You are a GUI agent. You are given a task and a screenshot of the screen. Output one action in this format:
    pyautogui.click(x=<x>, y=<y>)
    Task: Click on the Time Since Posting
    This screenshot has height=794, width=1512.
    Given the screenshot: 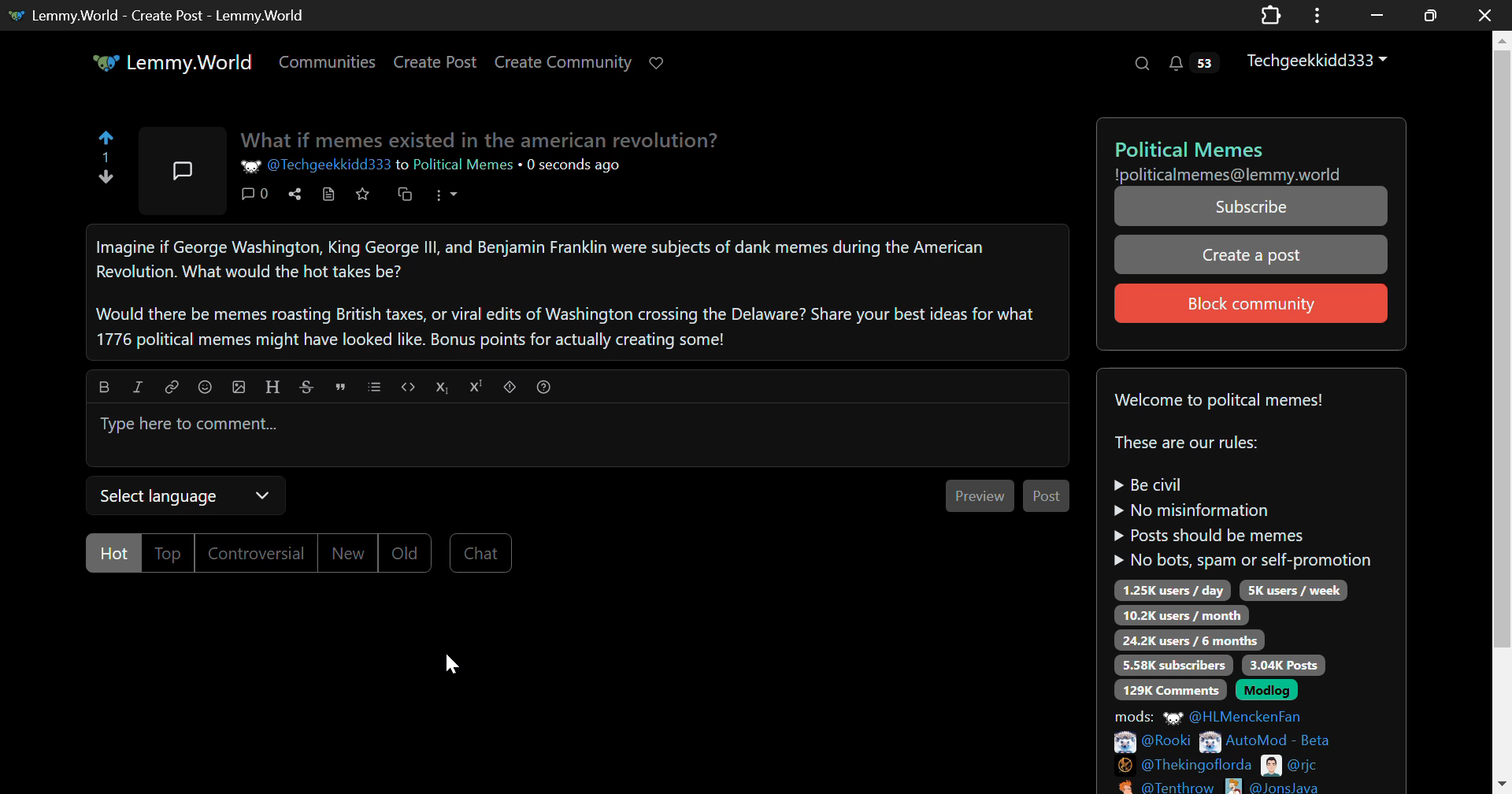 What is the action you would take?
    pyautogui.click(x=575, y=169)
    